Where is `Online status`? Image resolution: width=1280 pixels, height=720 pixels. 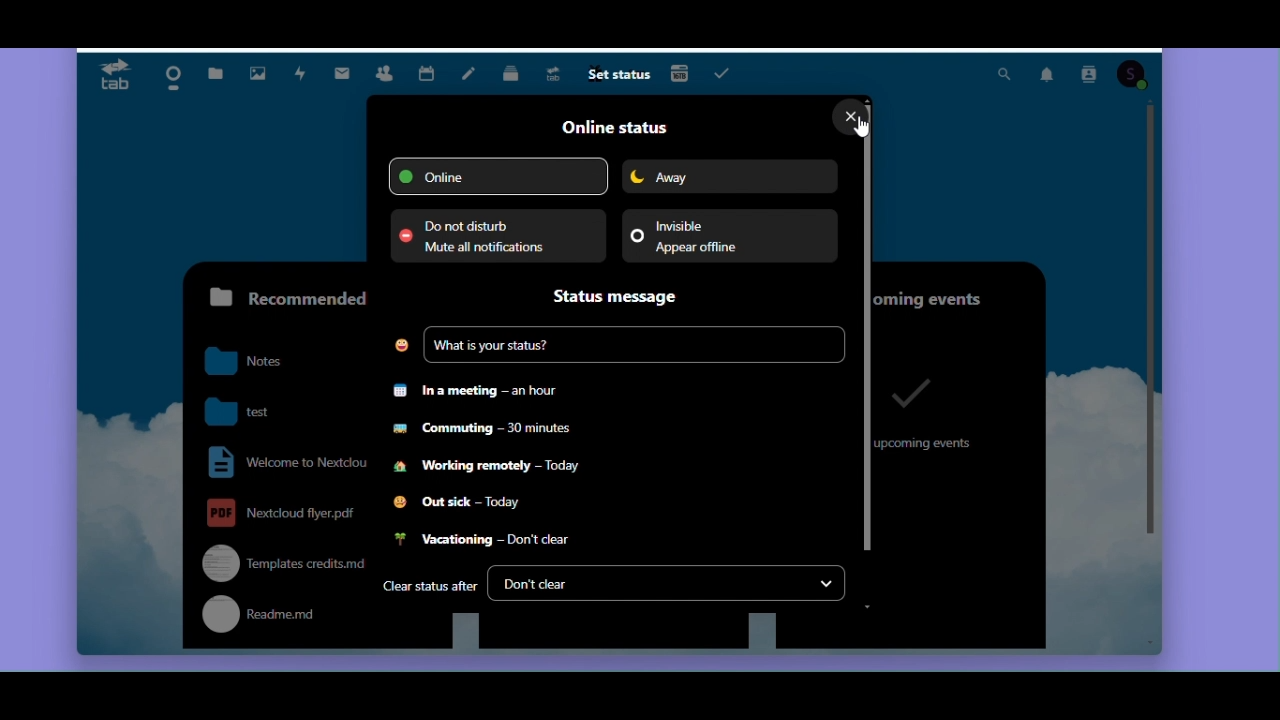
Online status is located at coordinates (613, 127).